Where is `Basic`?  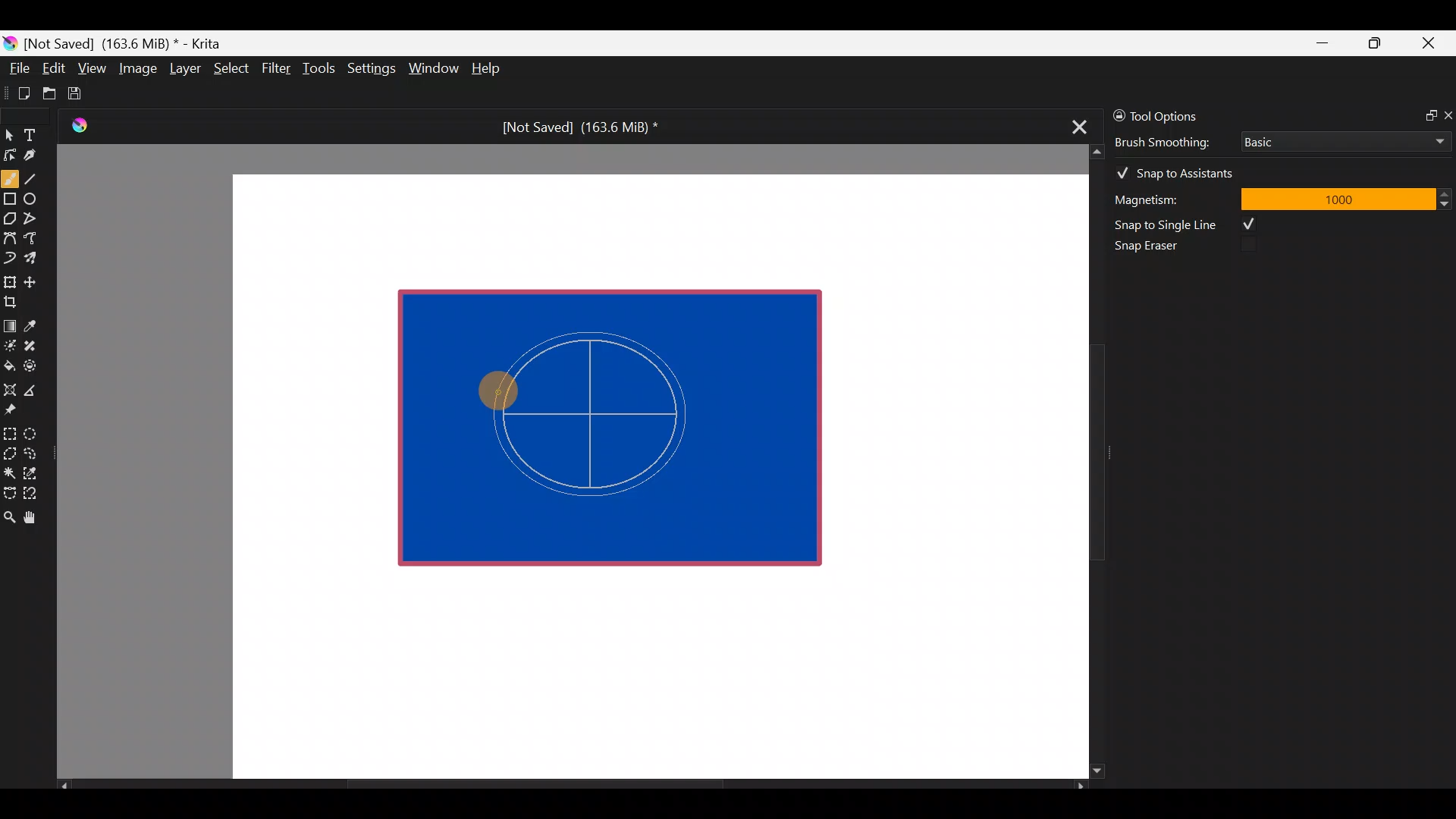
Basic is located at coordinates (1341, 139).